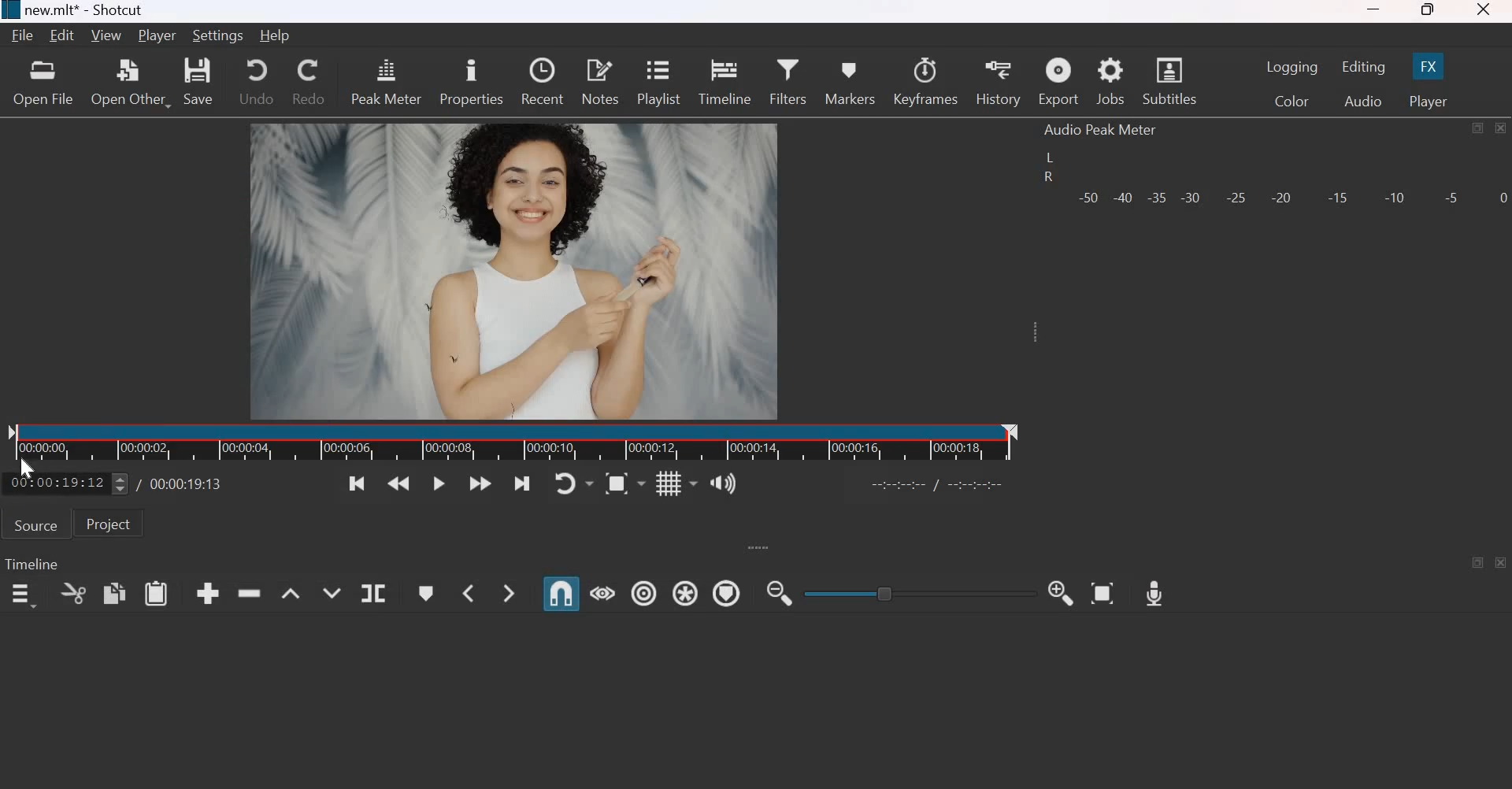  Describe the element at coordinates (726, 593) in the screenshot. I see `Ripple Markers` at that location.